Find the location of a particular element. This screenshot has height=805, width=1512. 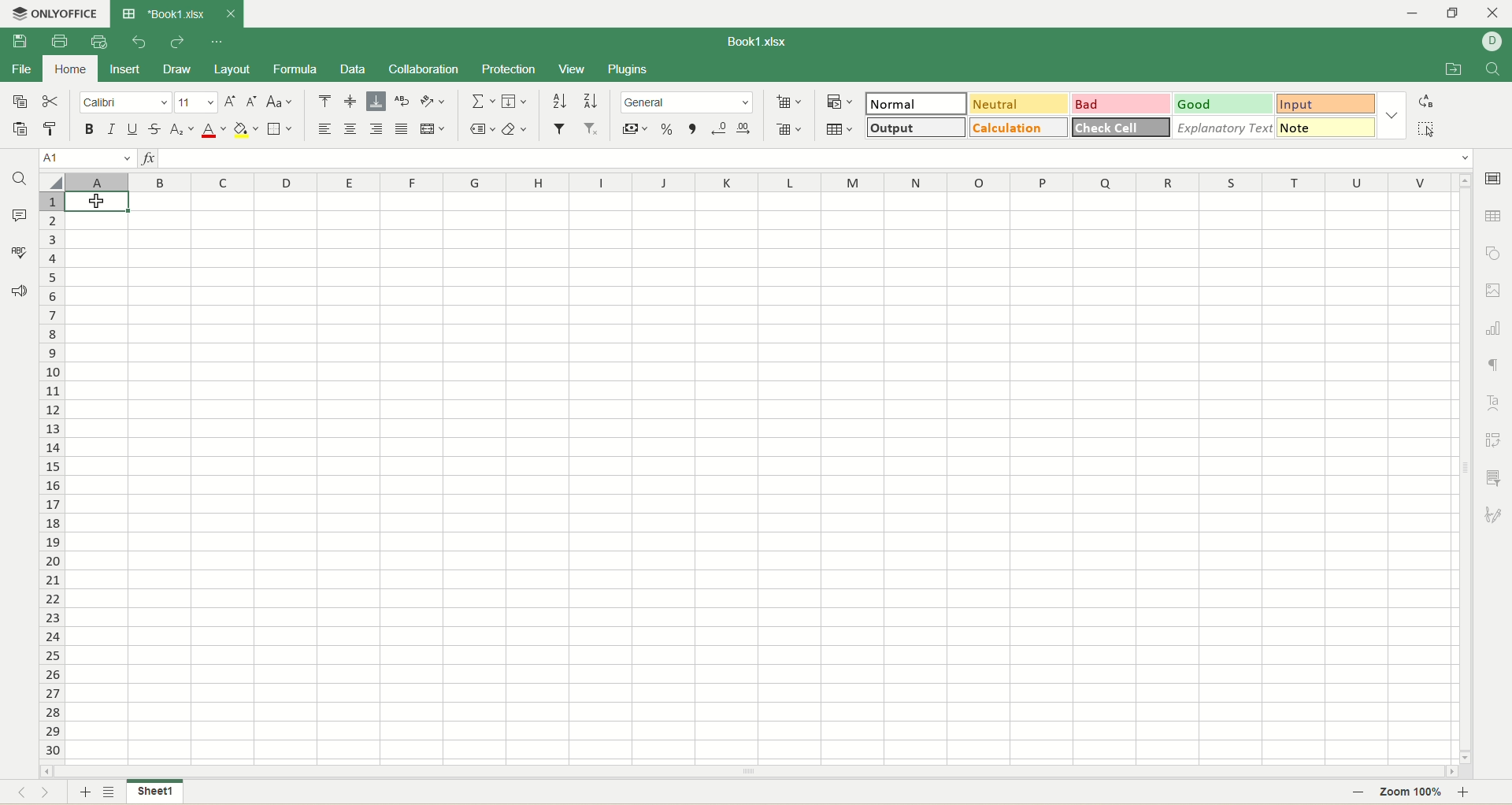

merge and center is located at coordinates (432, 129).